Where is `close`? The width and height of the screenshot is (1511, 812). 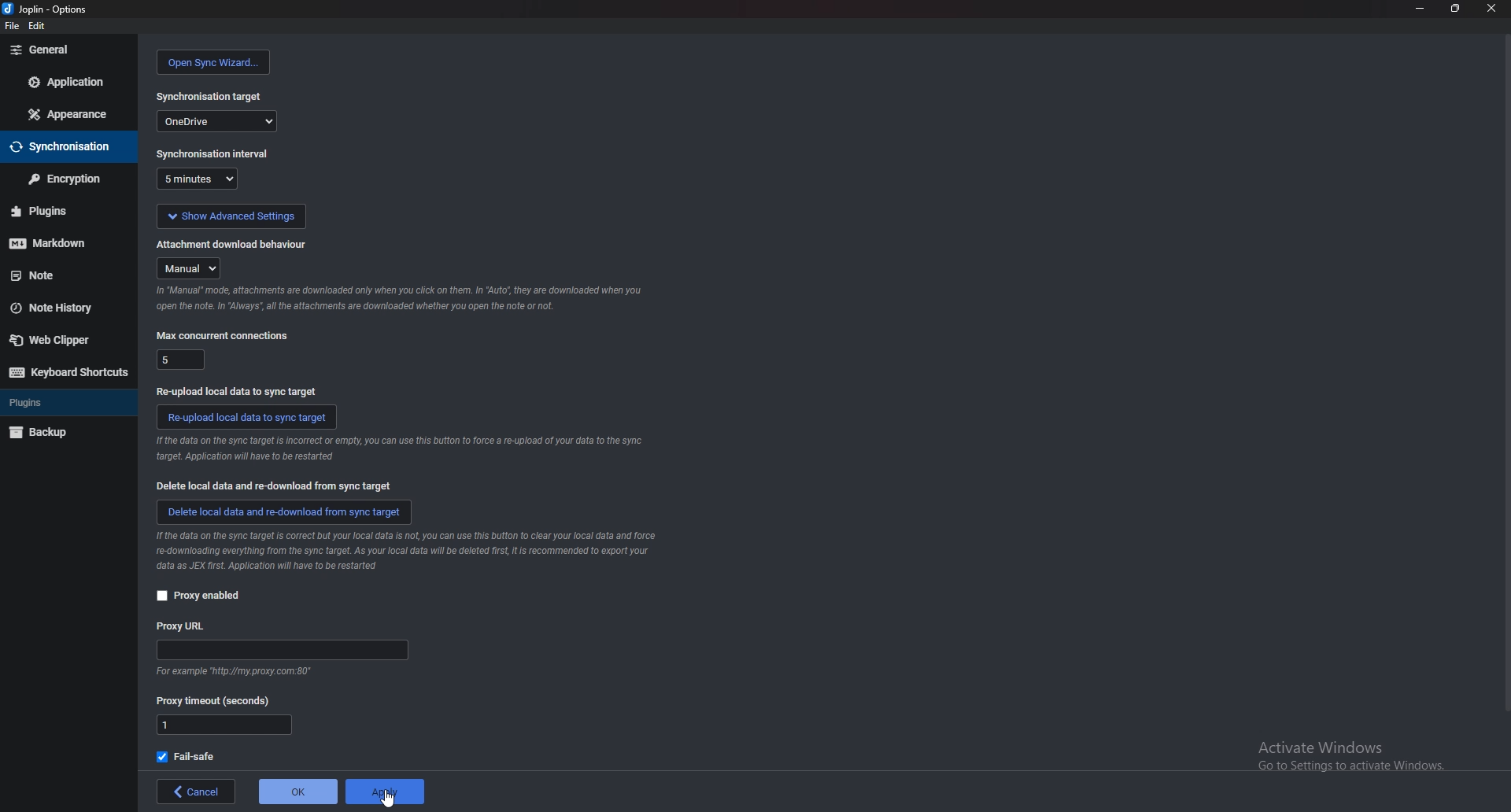
close is located at coordinates (1490, 8).